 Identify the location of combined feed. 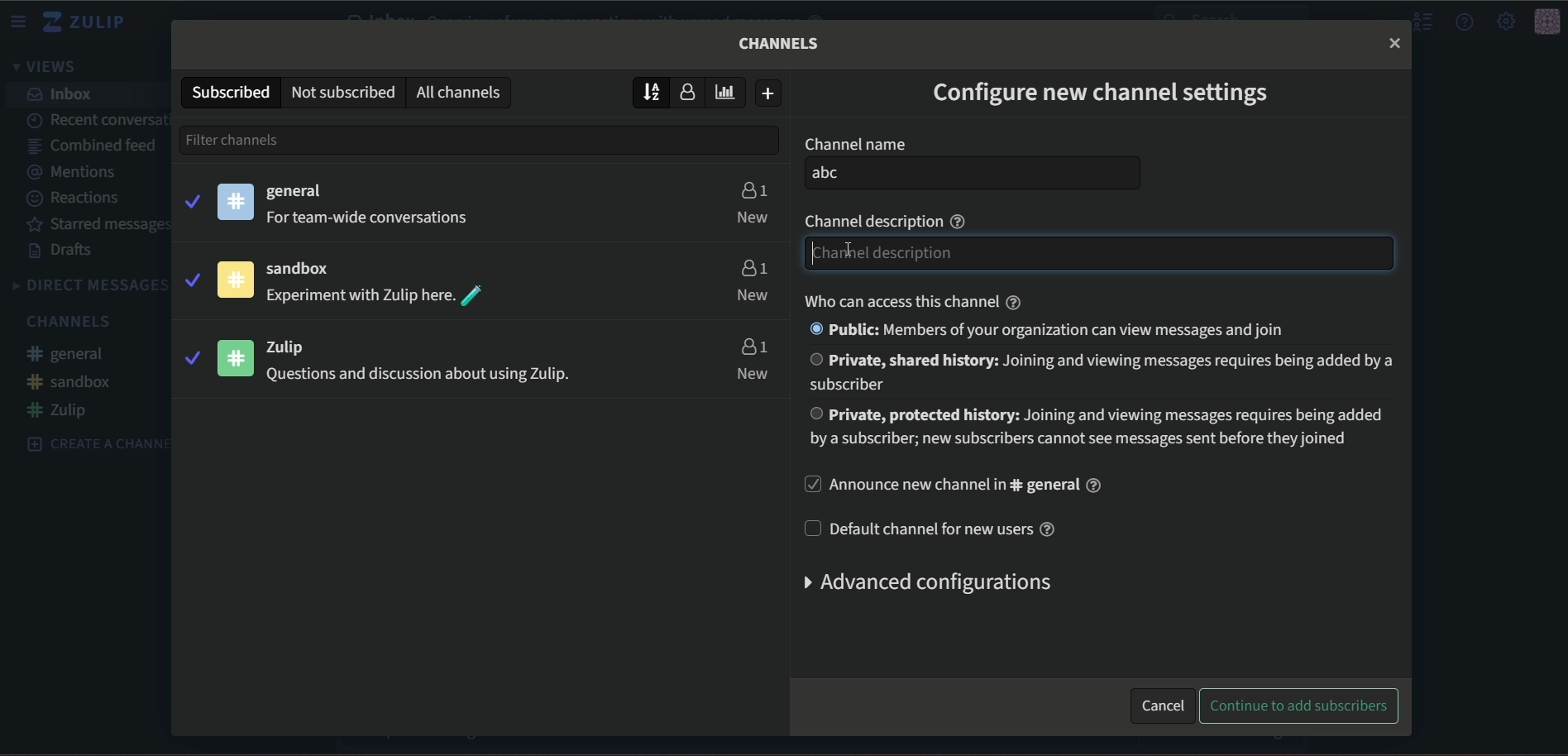
(92, 147).